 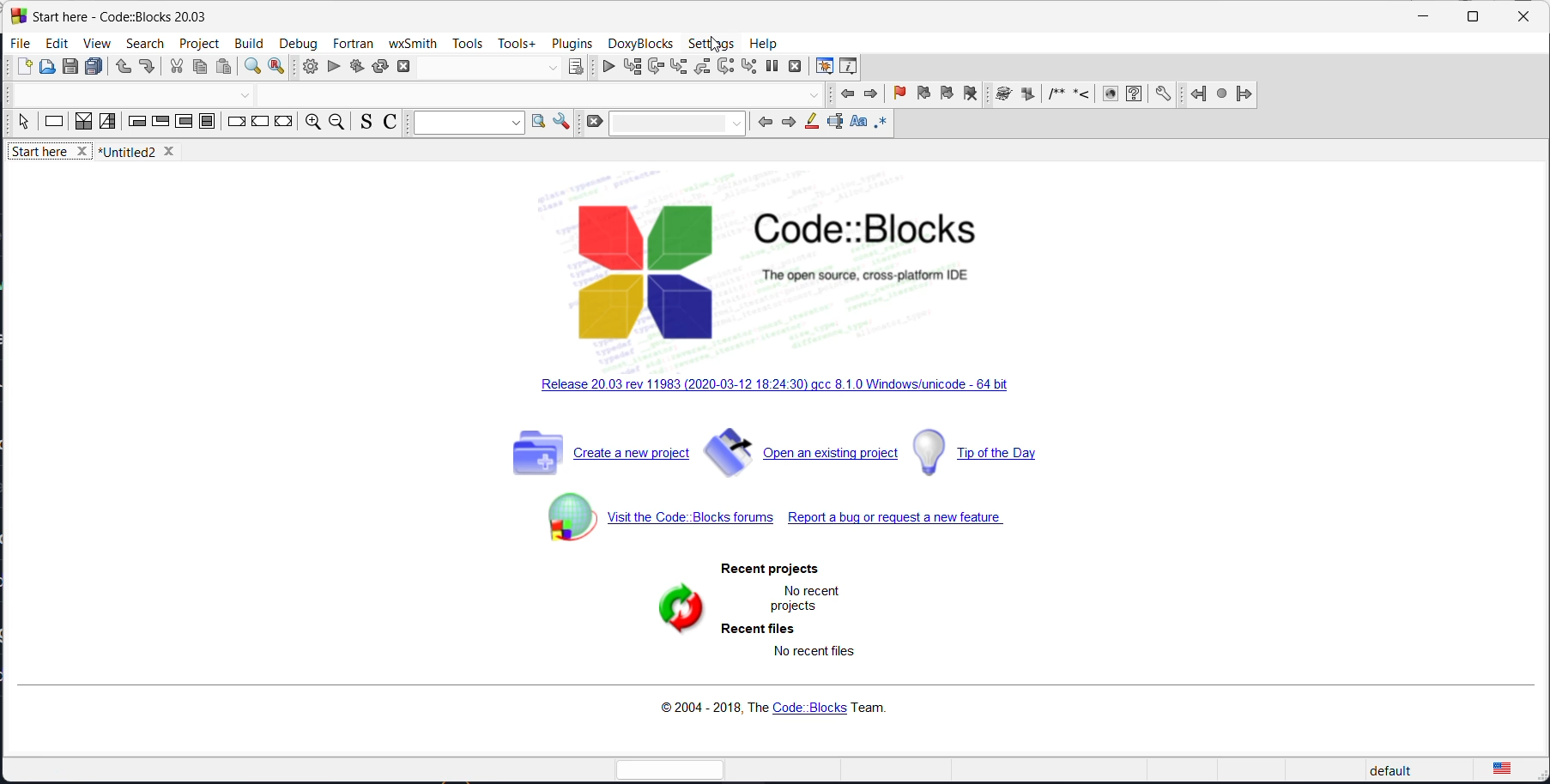 What do you see at coordinates (465, 124) in the screenshot?
I see `dropdown` at bounding box center [465, 124].